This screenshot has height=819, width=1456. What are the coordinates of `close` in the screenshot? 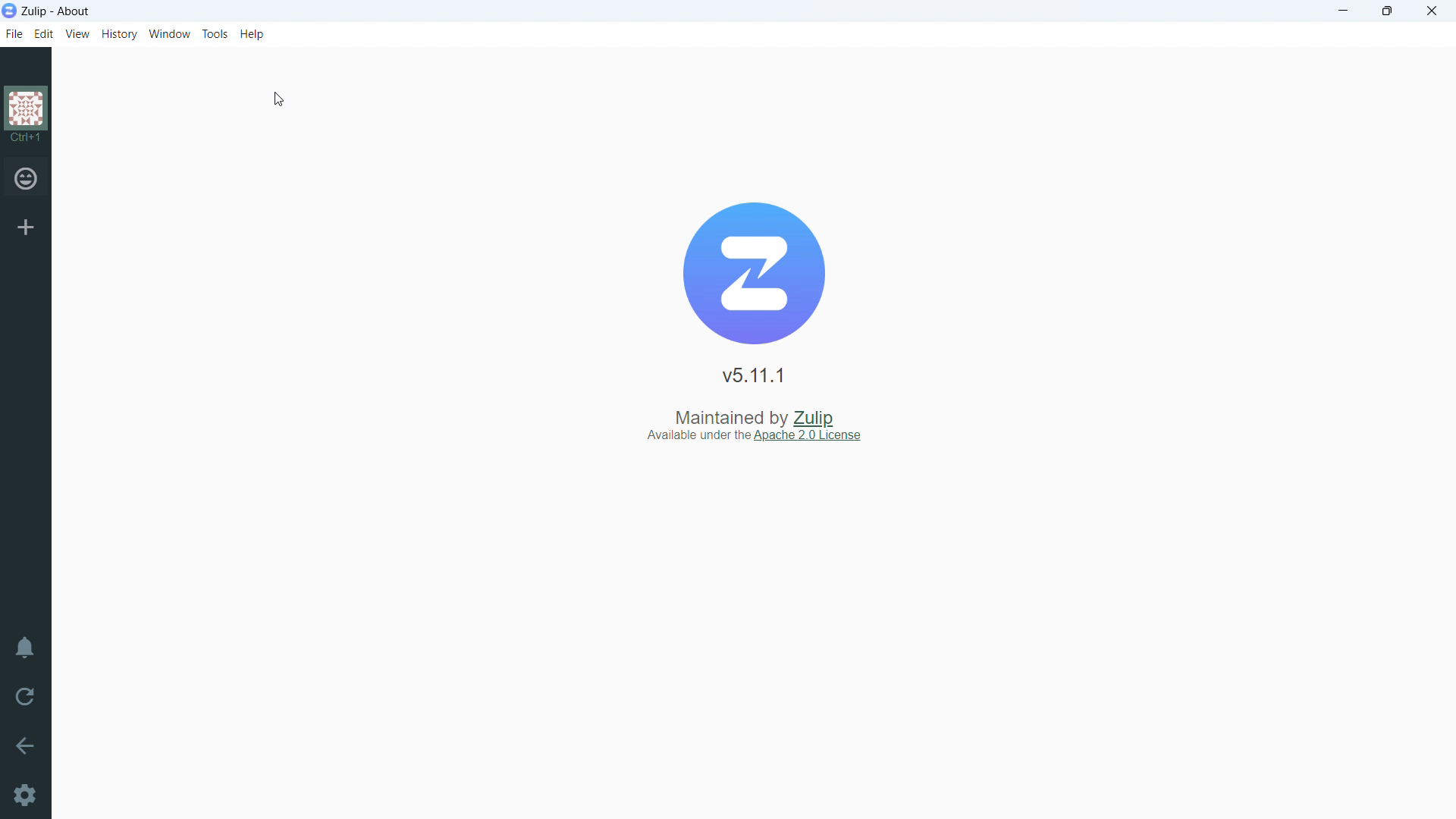 It's located at (1431, 11).